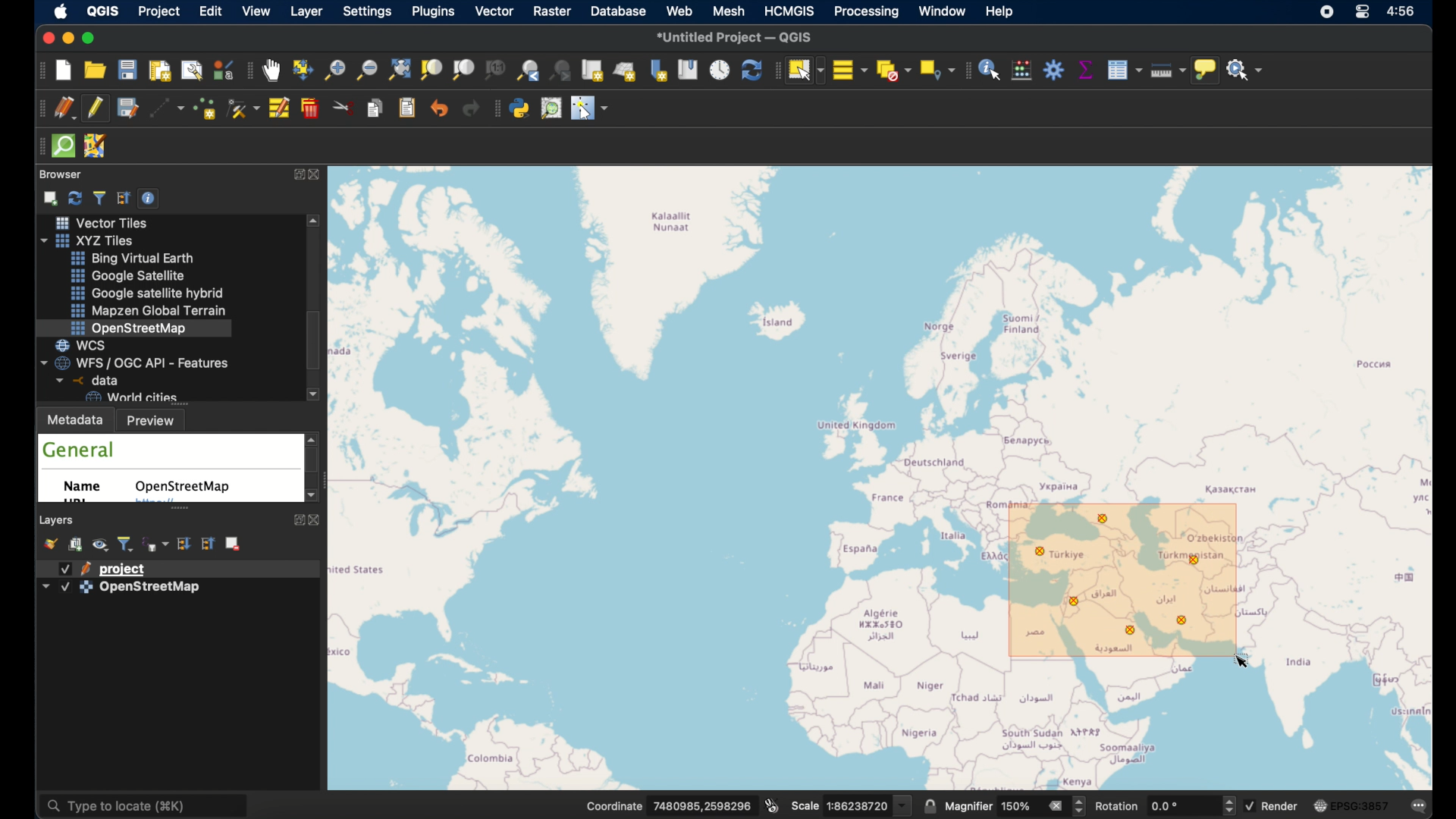 The width and height of the screenshot is (1456, 819). I want to click on preview, so click(155, 420).